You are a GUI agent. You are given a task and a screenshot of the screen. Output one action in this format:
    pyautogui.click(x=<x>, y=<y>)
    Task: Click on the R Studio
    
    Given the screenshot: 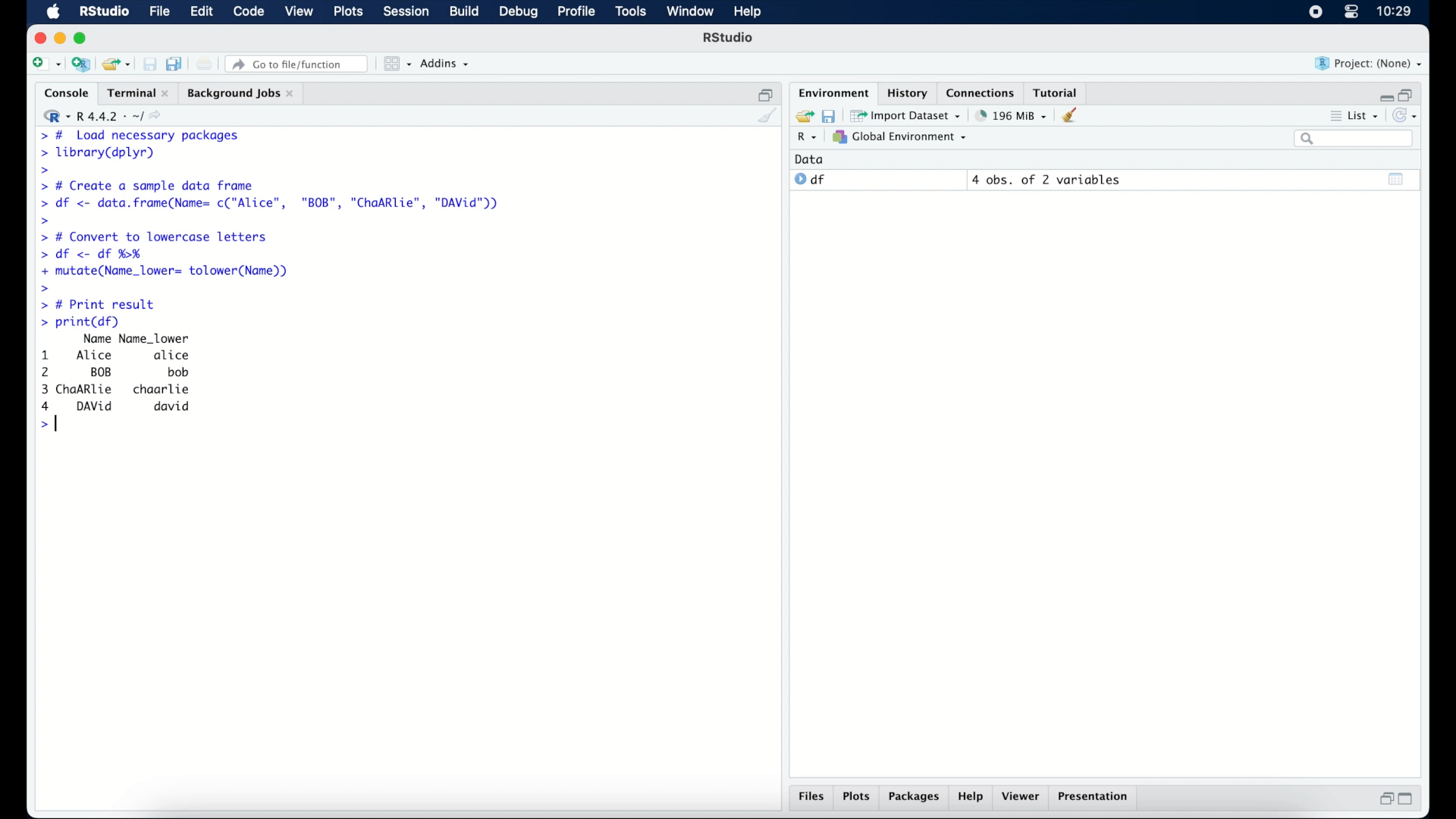 What is the action you would take?
    pyautogui.click(x=104, y=12)
    